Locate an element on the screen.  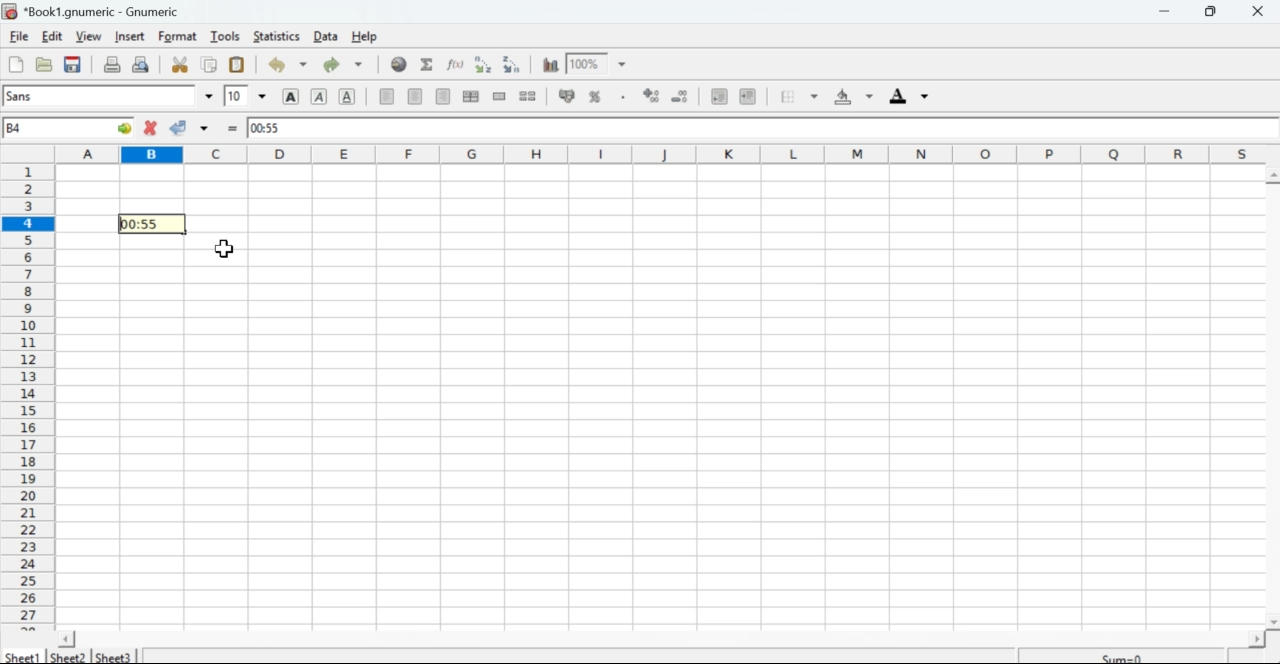
Align right is located at coordinates (443, 96).